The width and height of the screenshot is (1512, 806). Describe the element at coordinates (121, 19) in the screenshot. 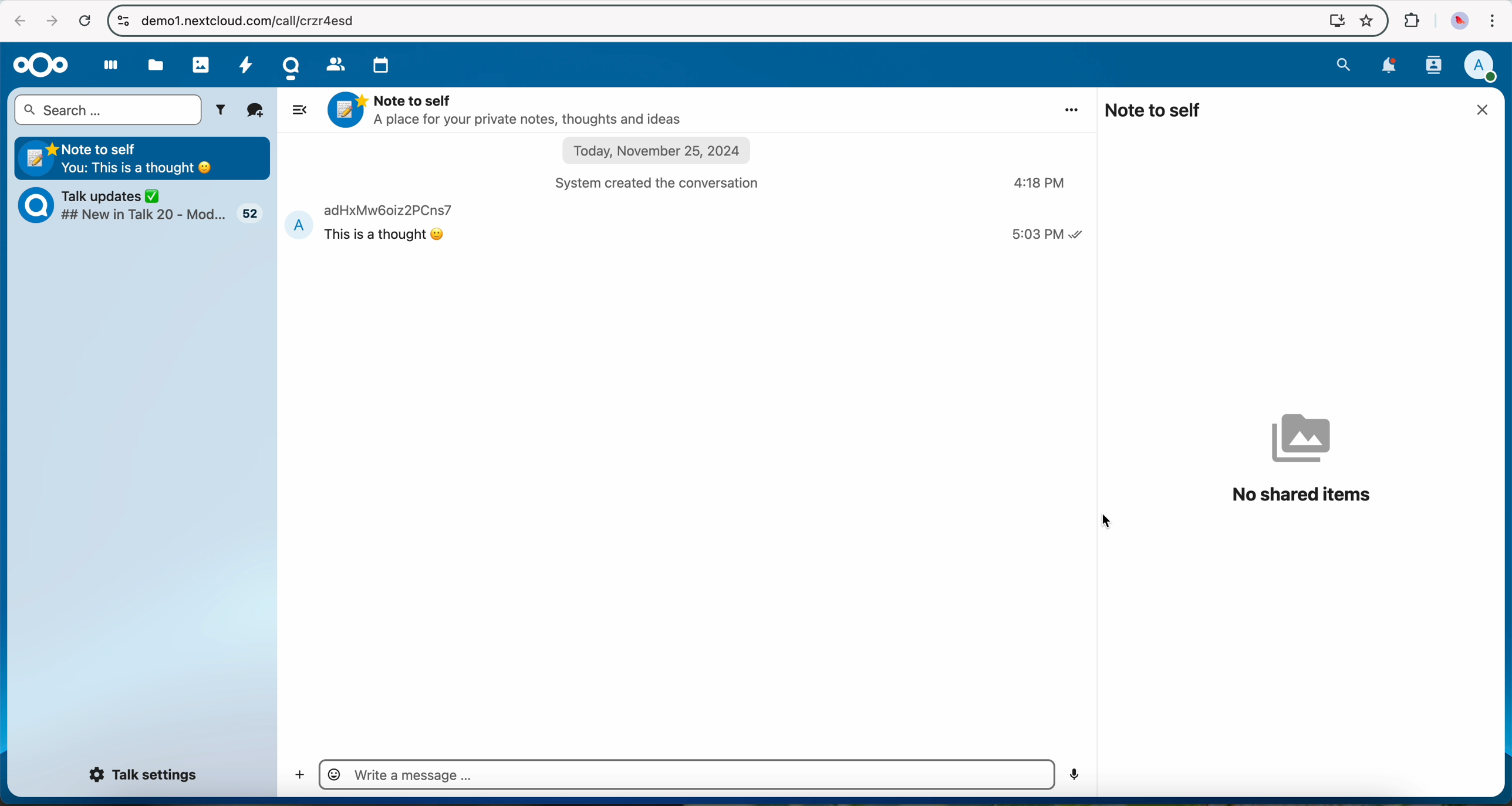

I see `controls` at that location.